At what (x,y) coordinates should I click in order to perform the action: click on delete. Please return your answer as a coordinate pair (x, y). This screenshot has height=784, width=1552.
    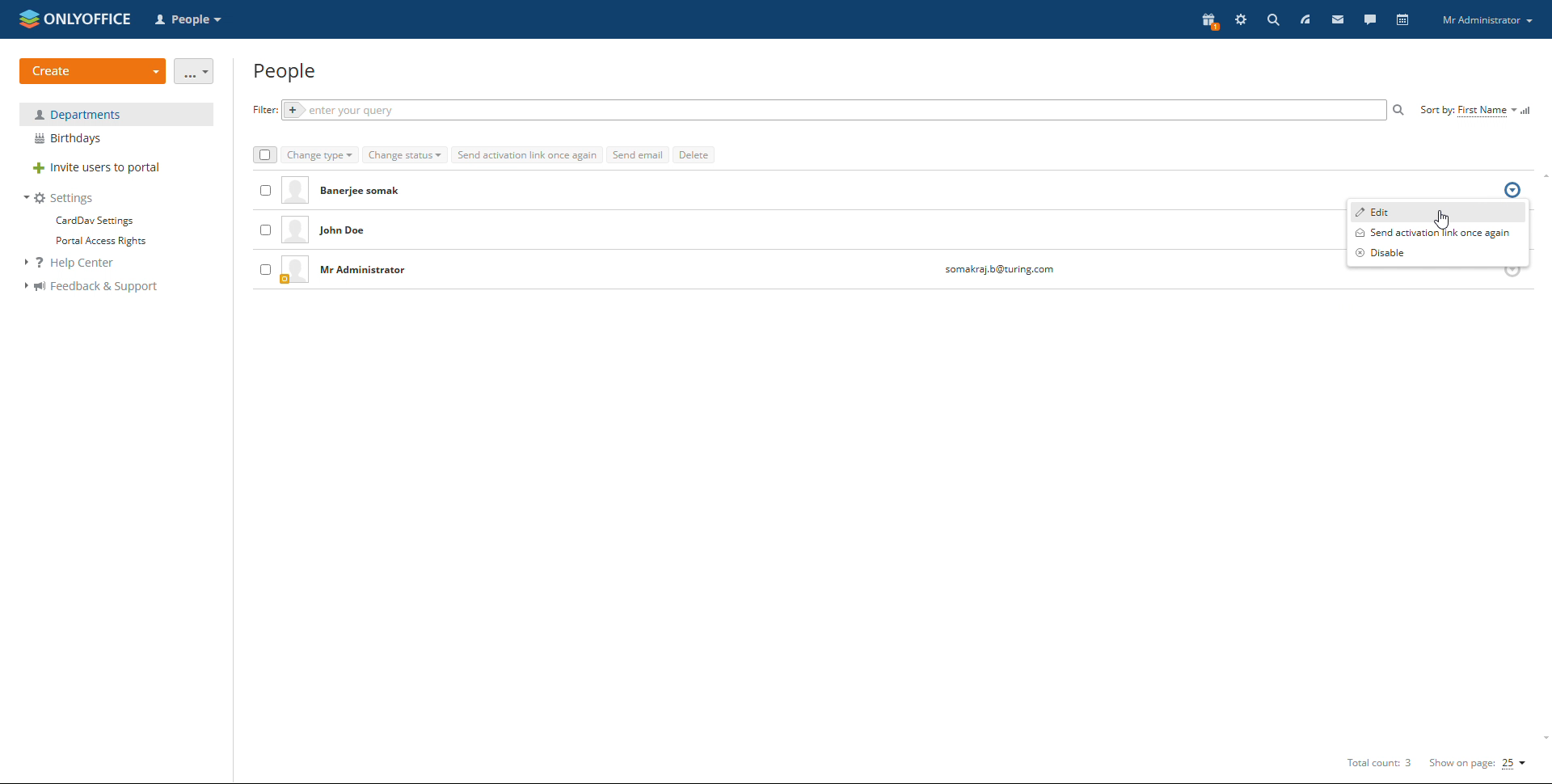
    Looking at the image, I should click on (694, 154).